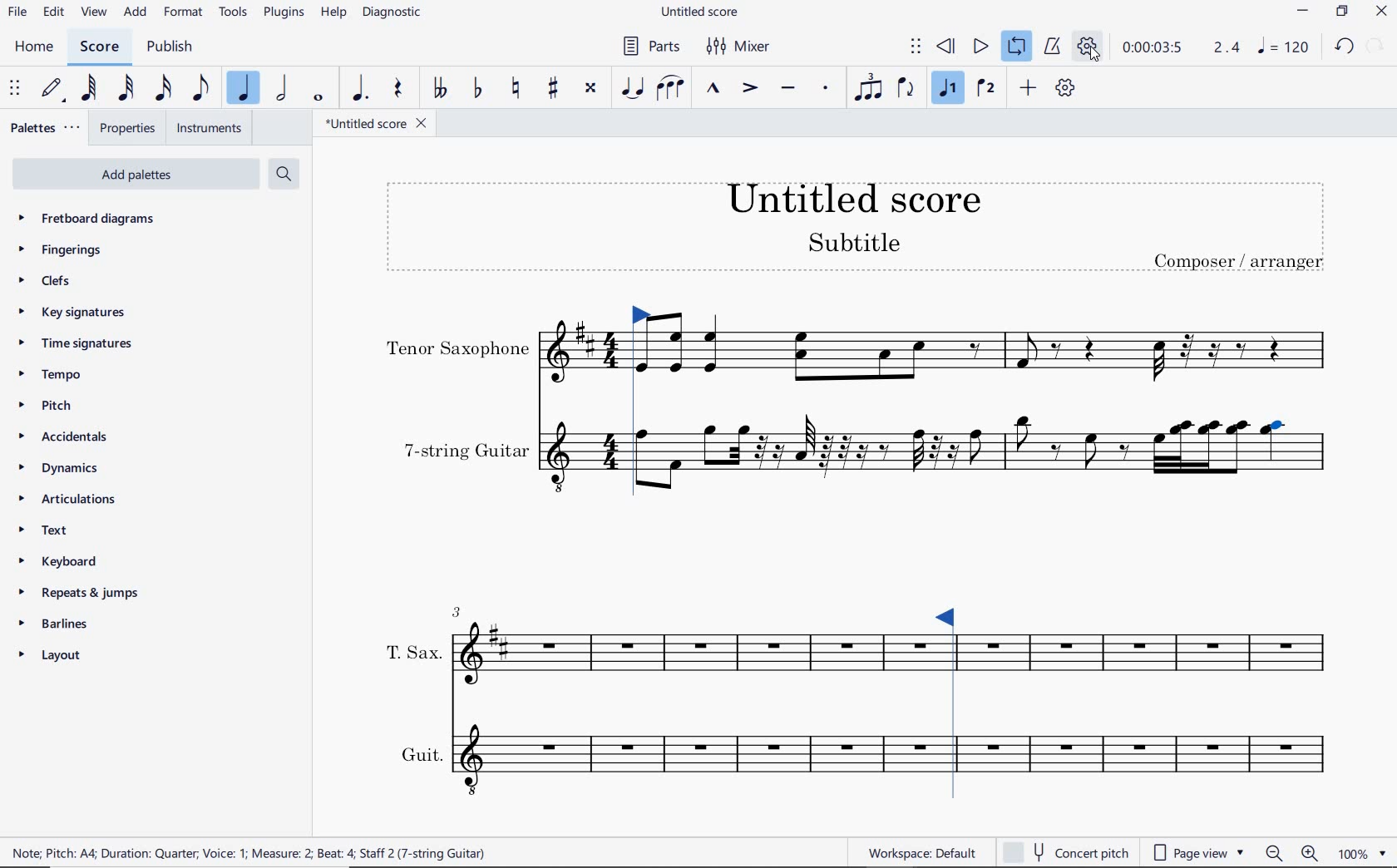 This screenshot has width=1397, height=868. What do you see at coordinates (14, 89) in the screenshot?
I see `SELECET TO MOVE` at bounding box center [14, 89].